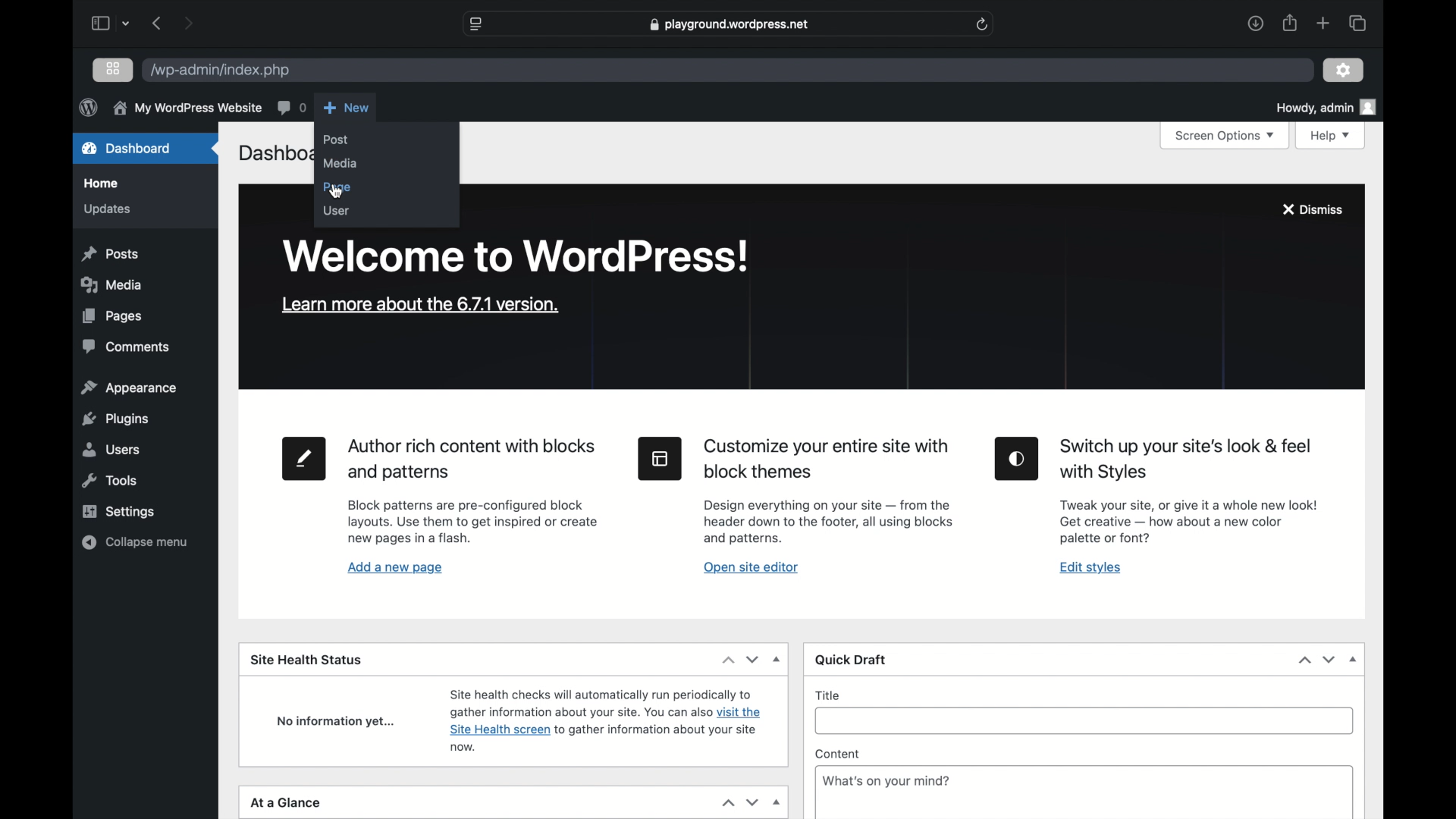  Describe the element at coordinates (101, 24) in the screenshot. I see `sidebar` at that location.